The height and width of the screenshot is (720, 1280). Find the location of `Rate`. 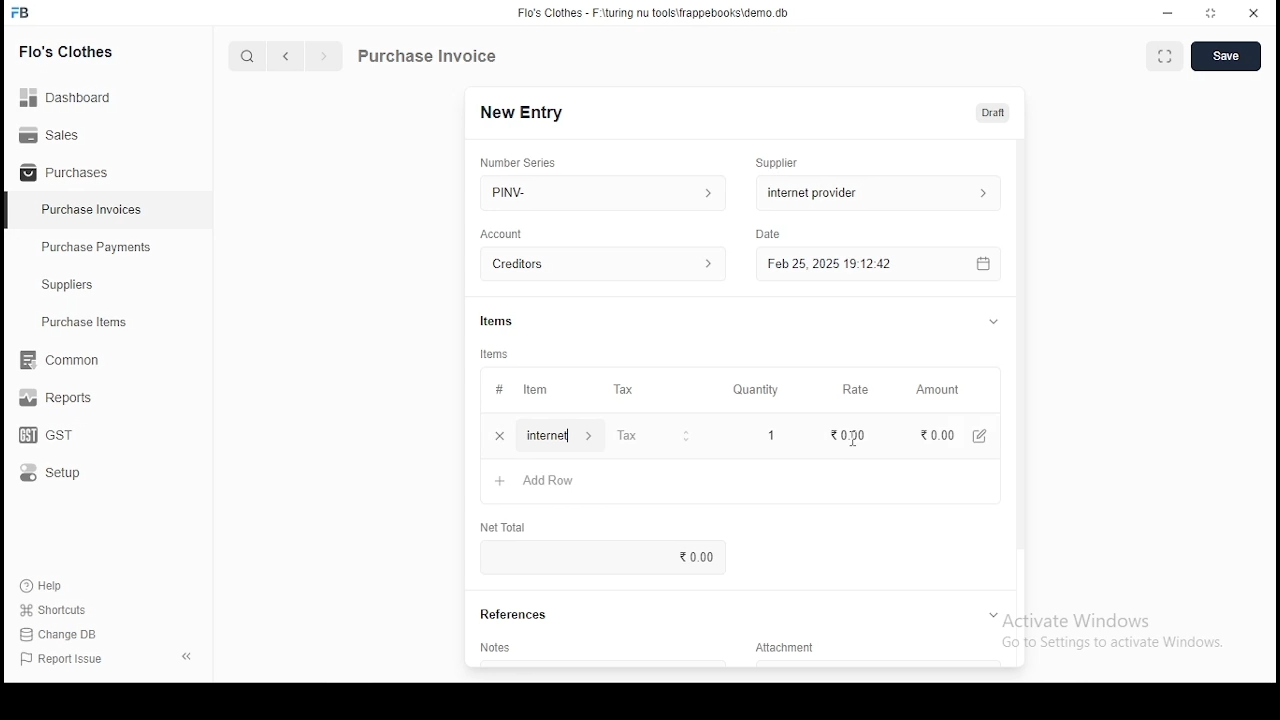

Rate is located at coordinates (857, 389).